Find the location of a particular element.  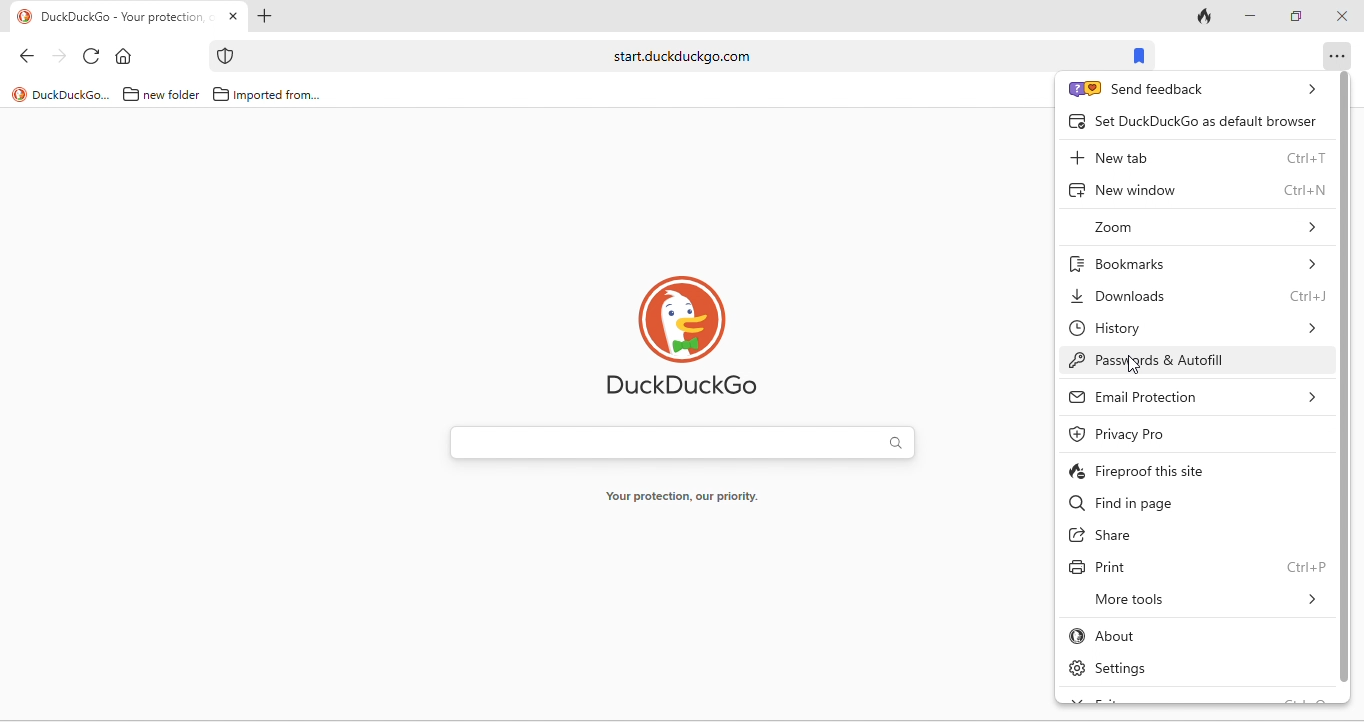

share is located at coordinates (1108, 536).